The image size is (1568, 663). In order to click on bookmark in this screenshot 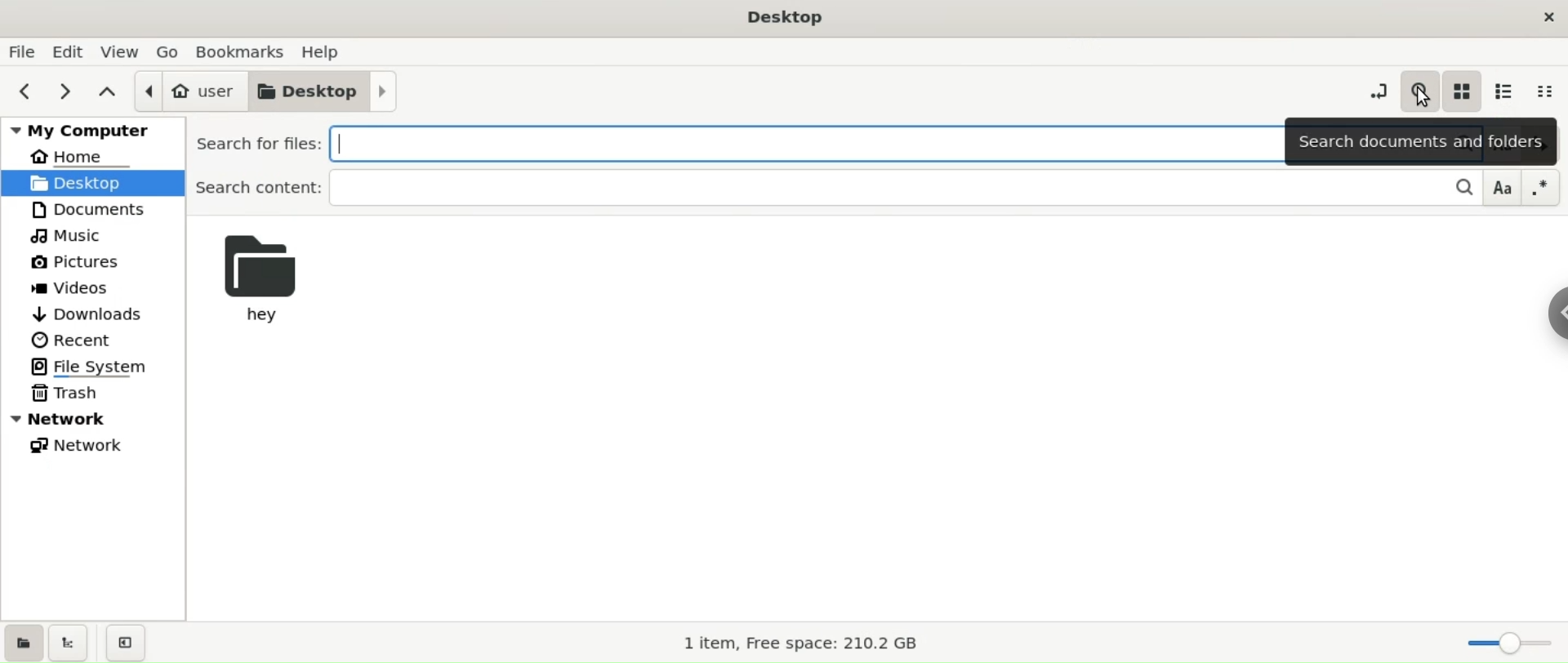, I will do `click(242, 51)`.